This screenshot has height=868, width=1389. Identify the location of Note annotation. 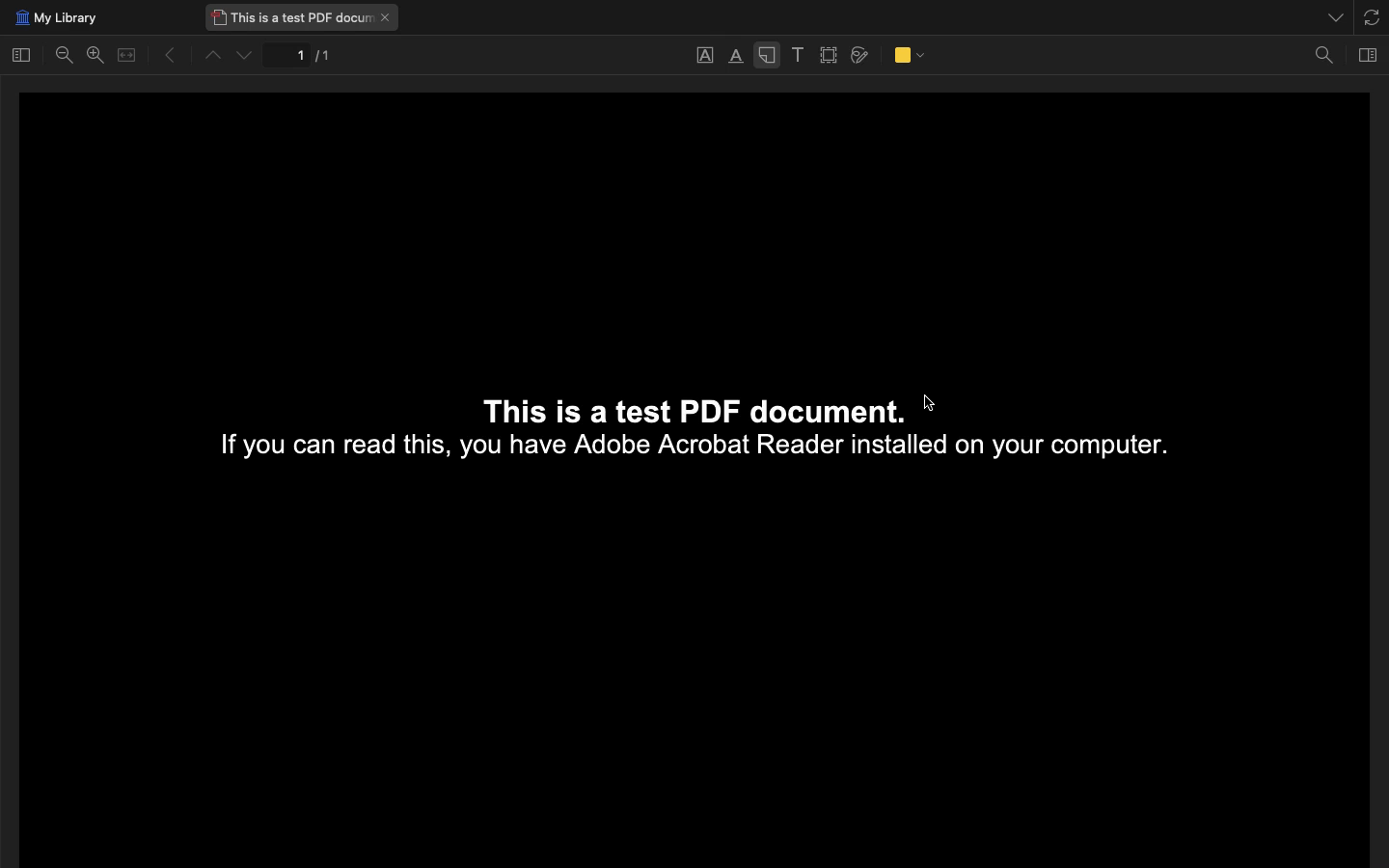
(766, 58).